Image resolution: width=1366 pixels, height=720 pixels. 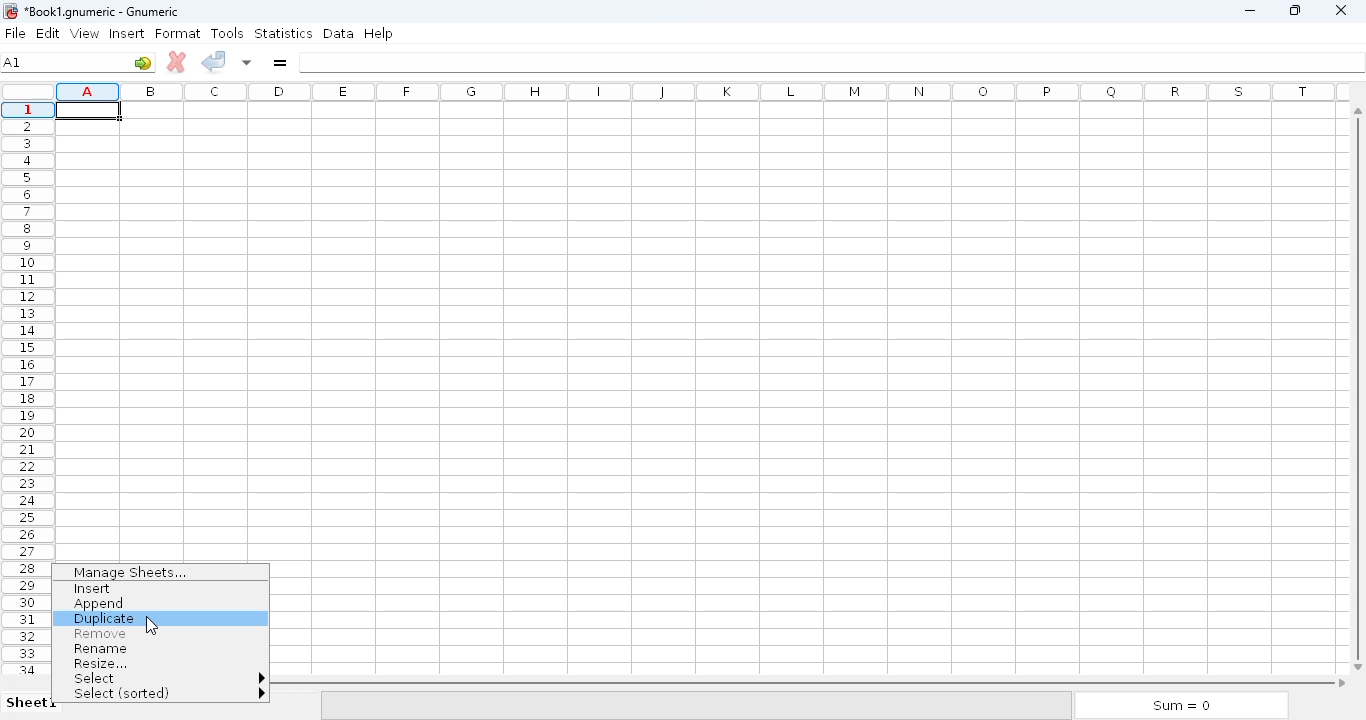 What do you see at coordinates (831, 62) in the screenshot?
I see `formula bar` at bounding box center [831, 62].